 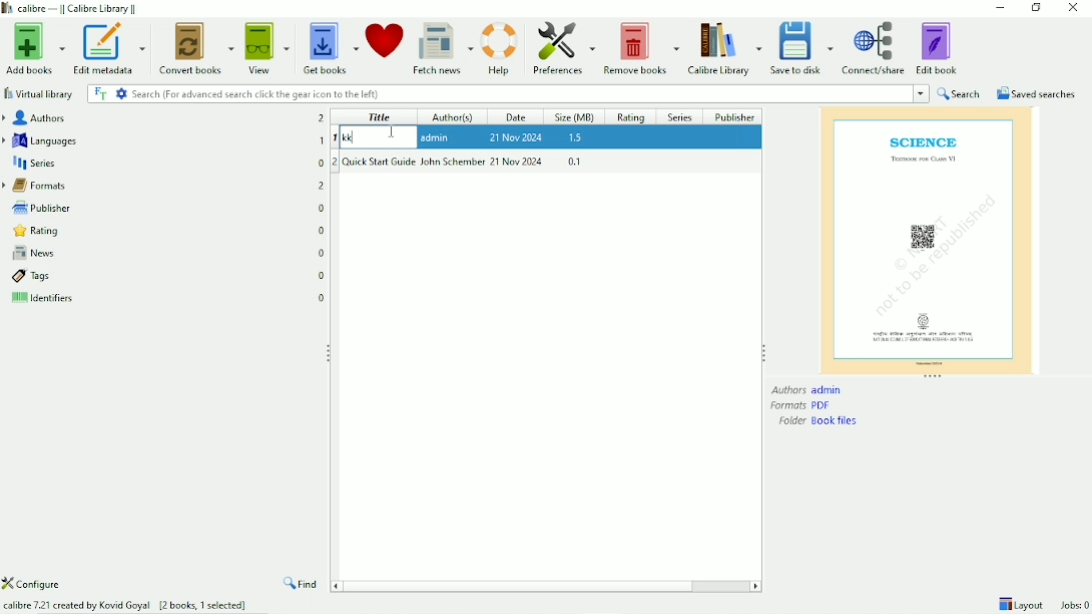 I want to click on Cursor, so click(x=391, y=131).